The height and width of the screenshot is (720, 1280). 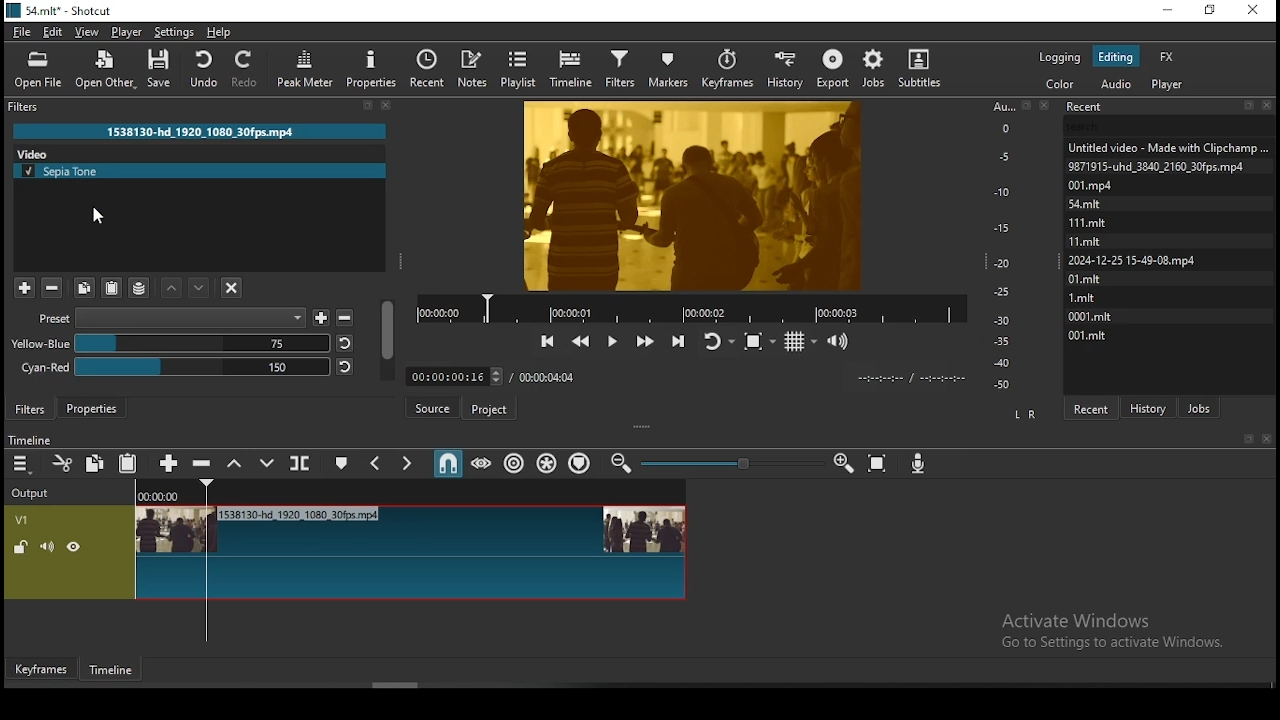 I want to click on scroll bar, so click(x=389, y=340).